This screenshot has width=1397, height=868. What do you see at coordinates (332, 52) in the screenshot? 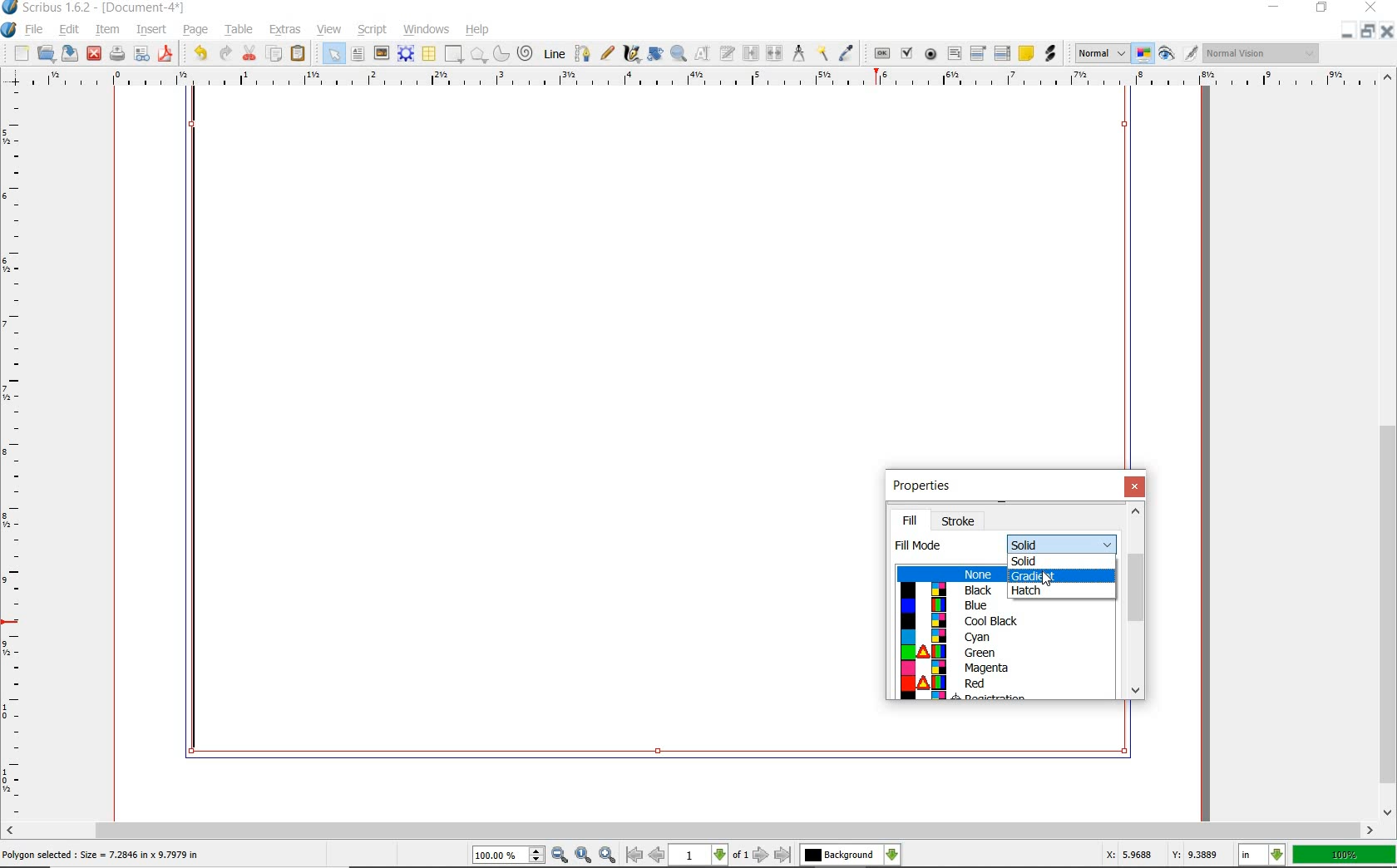
I see `select` at bounding box center [332, 52].